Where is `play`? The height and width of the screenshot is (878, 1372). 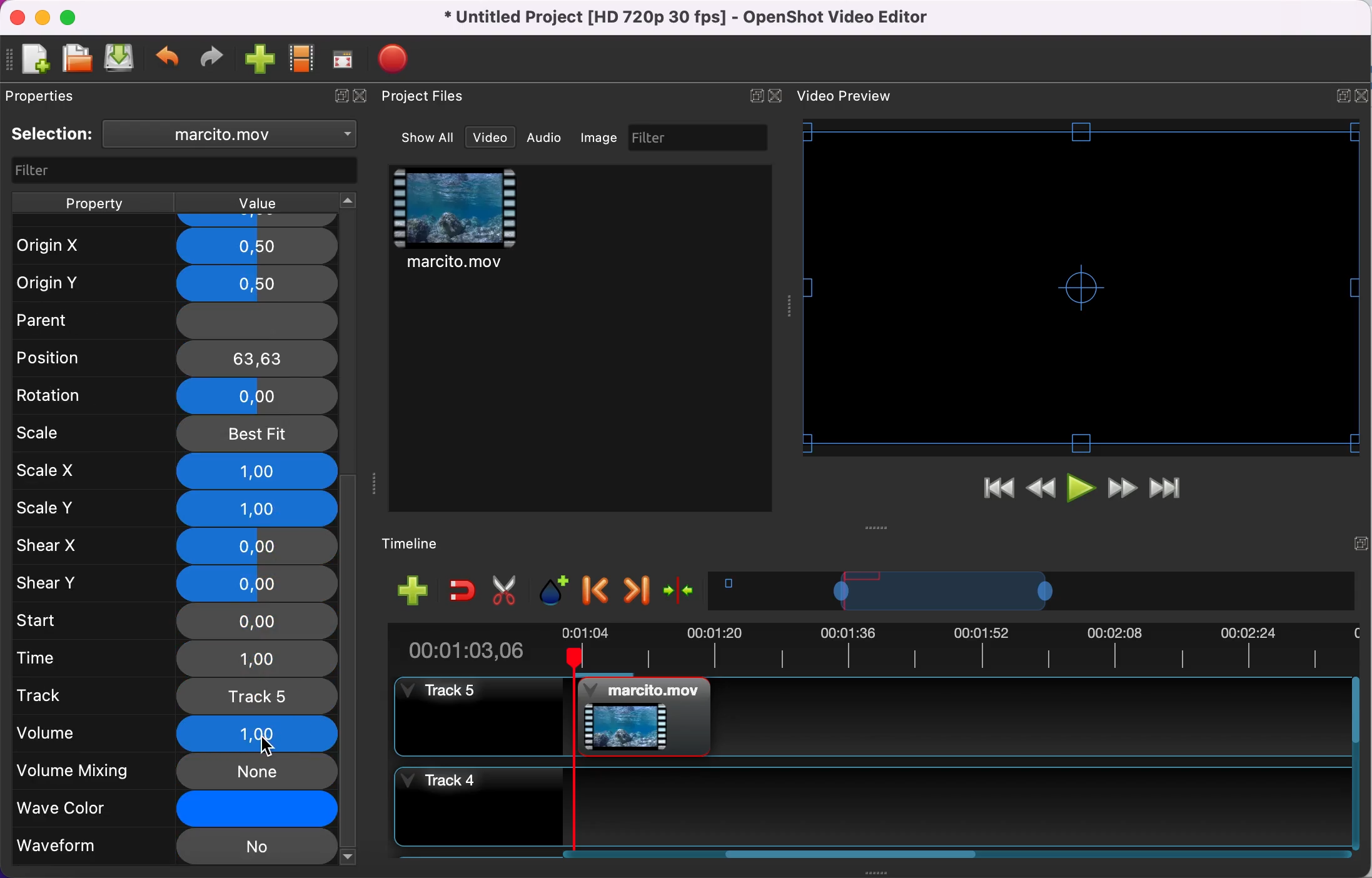 play is located at coordinates (1083, 491).